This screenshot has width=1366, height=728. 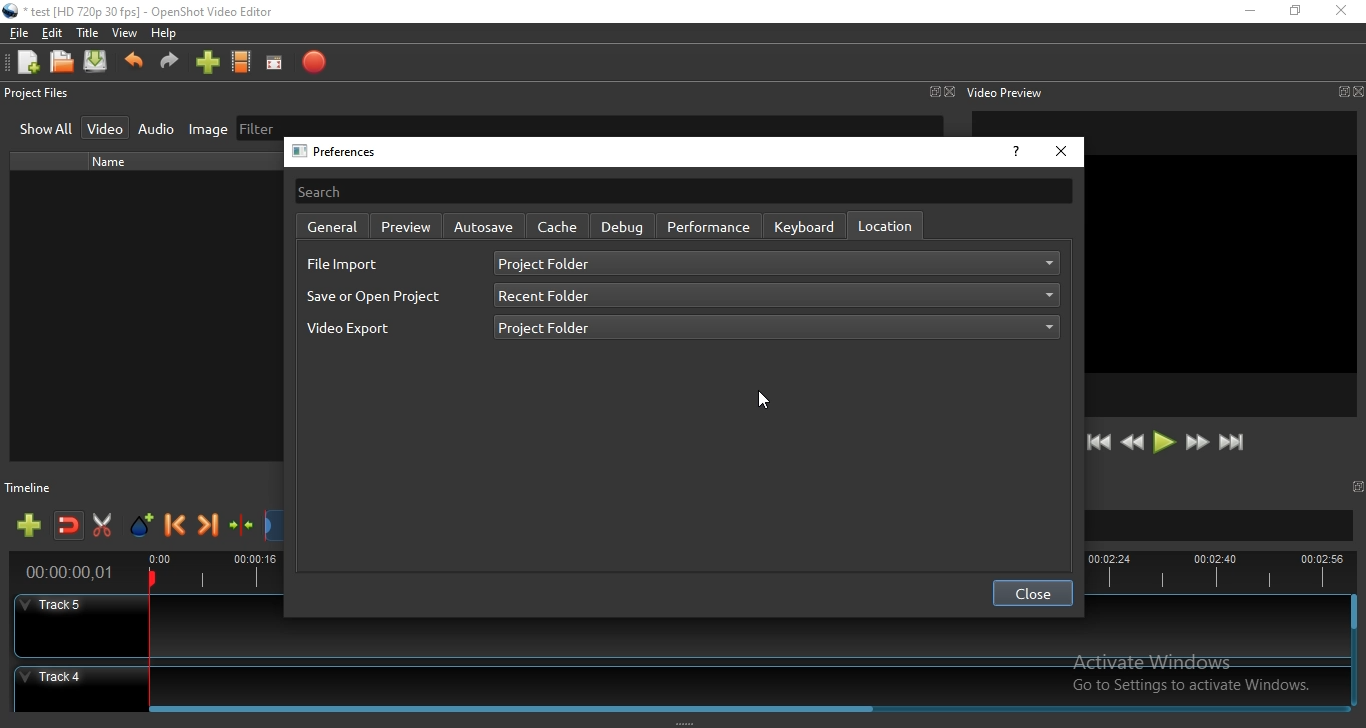 I want to click on Window , so click(x=933, y=91).